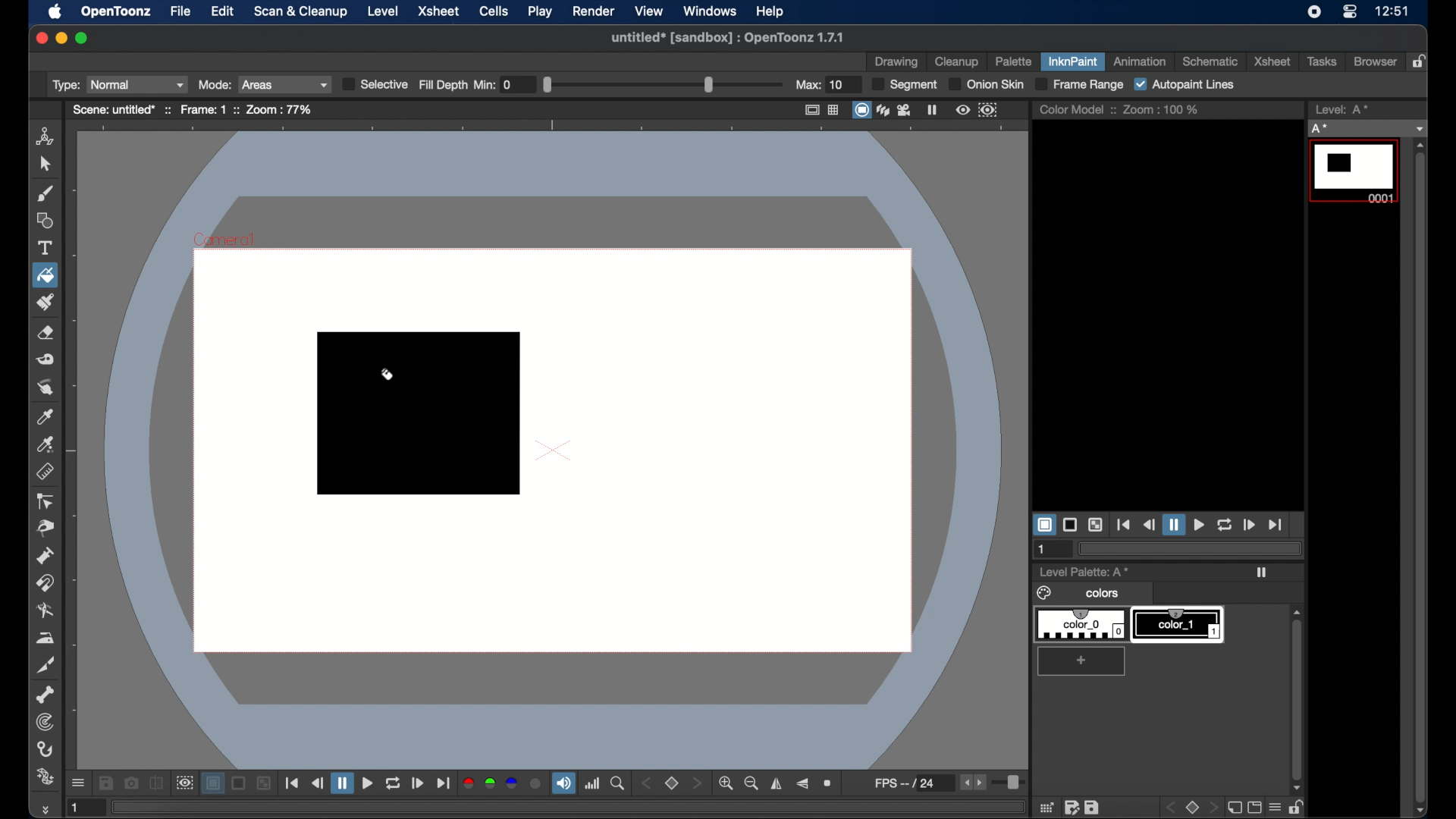  Describe the element at coordinates (212, 783) in the screenshot. I see `white background` at that location.